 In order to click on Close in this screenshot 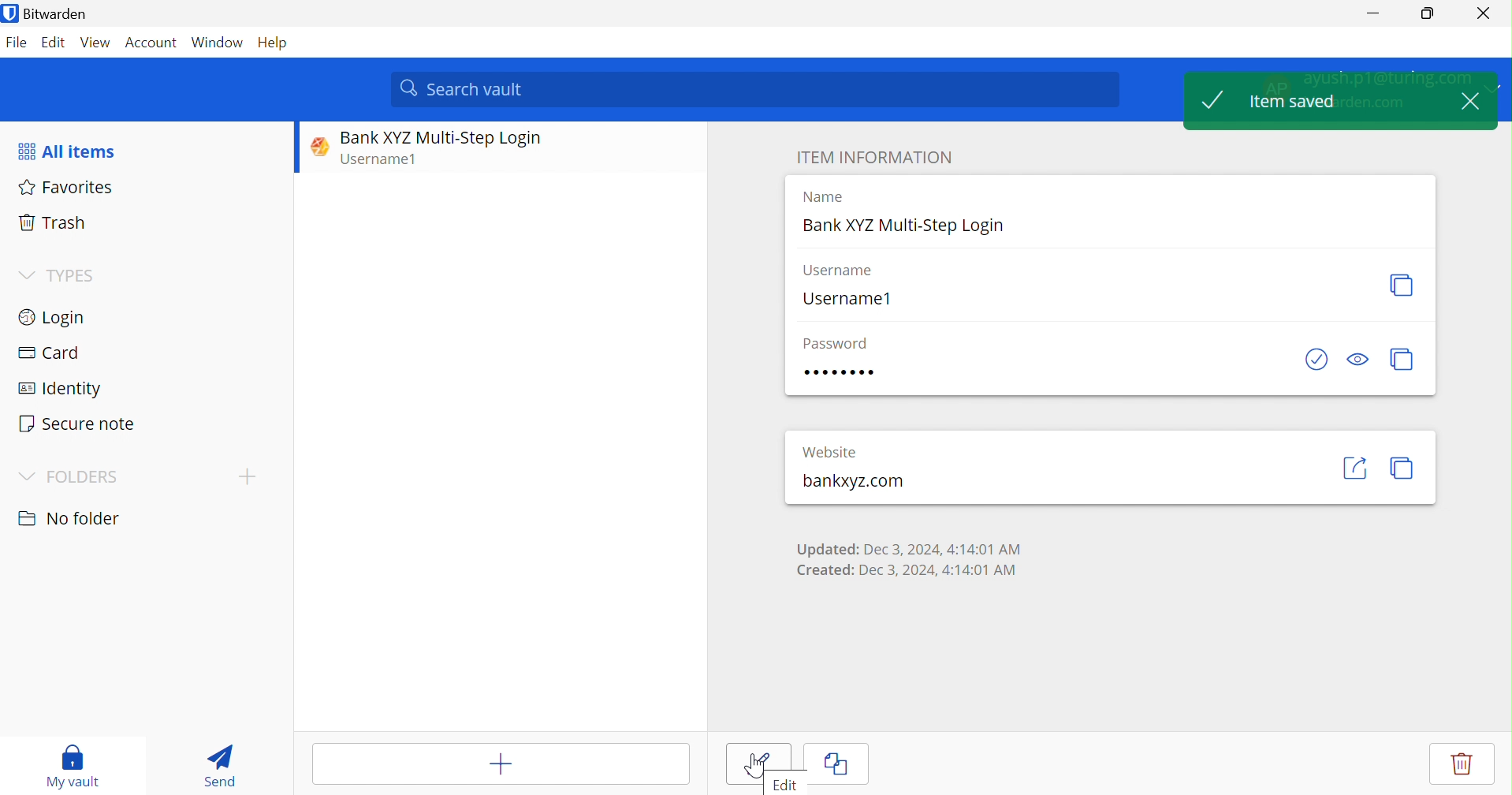, I will do `click(1487, 13)`.